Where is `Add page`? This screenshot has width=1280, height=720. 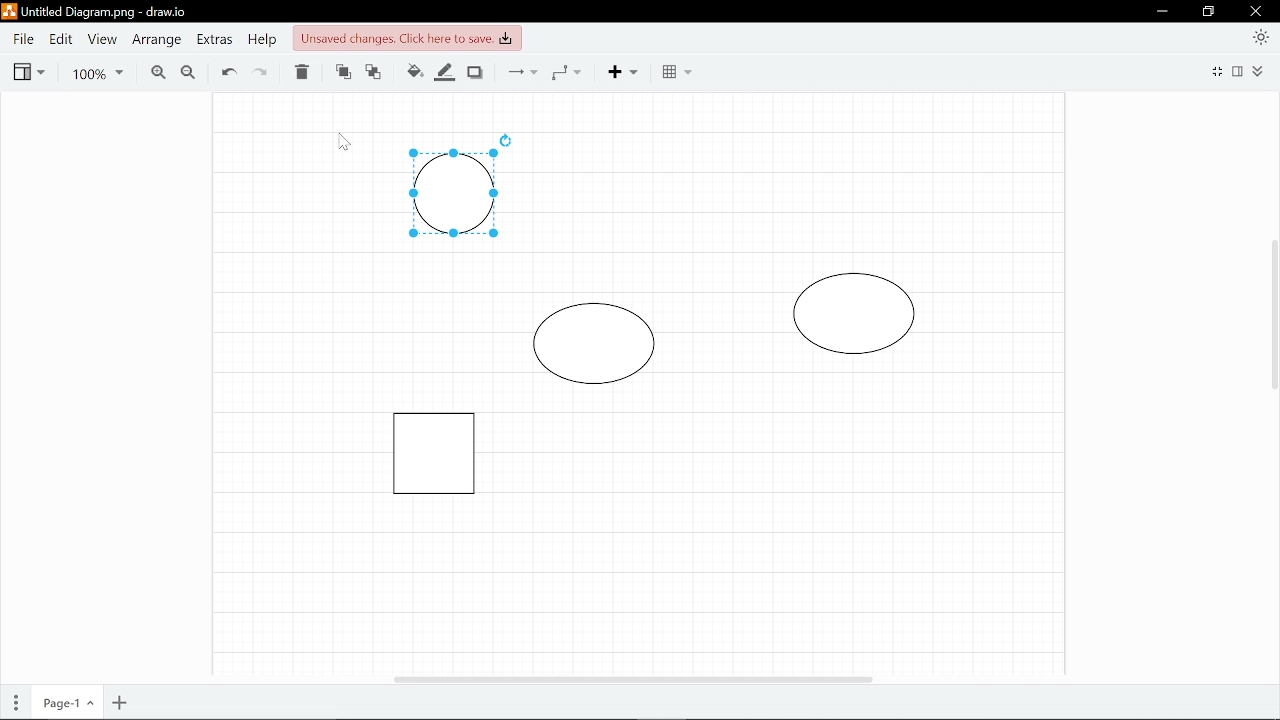
Add page is located at coordinates (121, 703).